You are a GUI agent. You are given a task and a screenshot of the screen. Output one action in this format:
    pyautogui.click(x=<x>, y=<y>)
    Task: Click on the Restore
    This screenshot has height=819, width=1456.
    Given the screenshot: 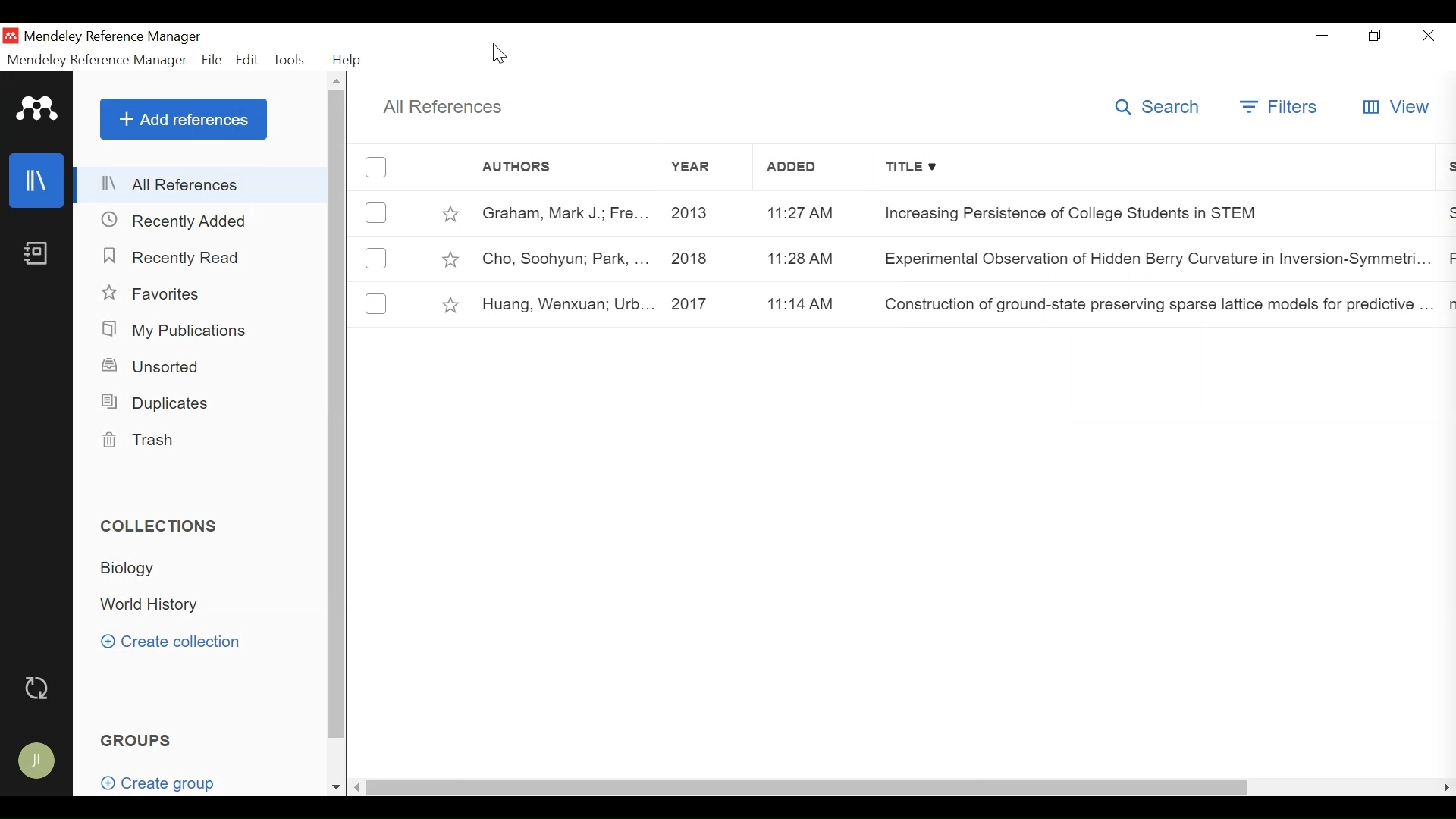 What is the action you would take?
    pyautogui.click(x=1376, y=36)
    